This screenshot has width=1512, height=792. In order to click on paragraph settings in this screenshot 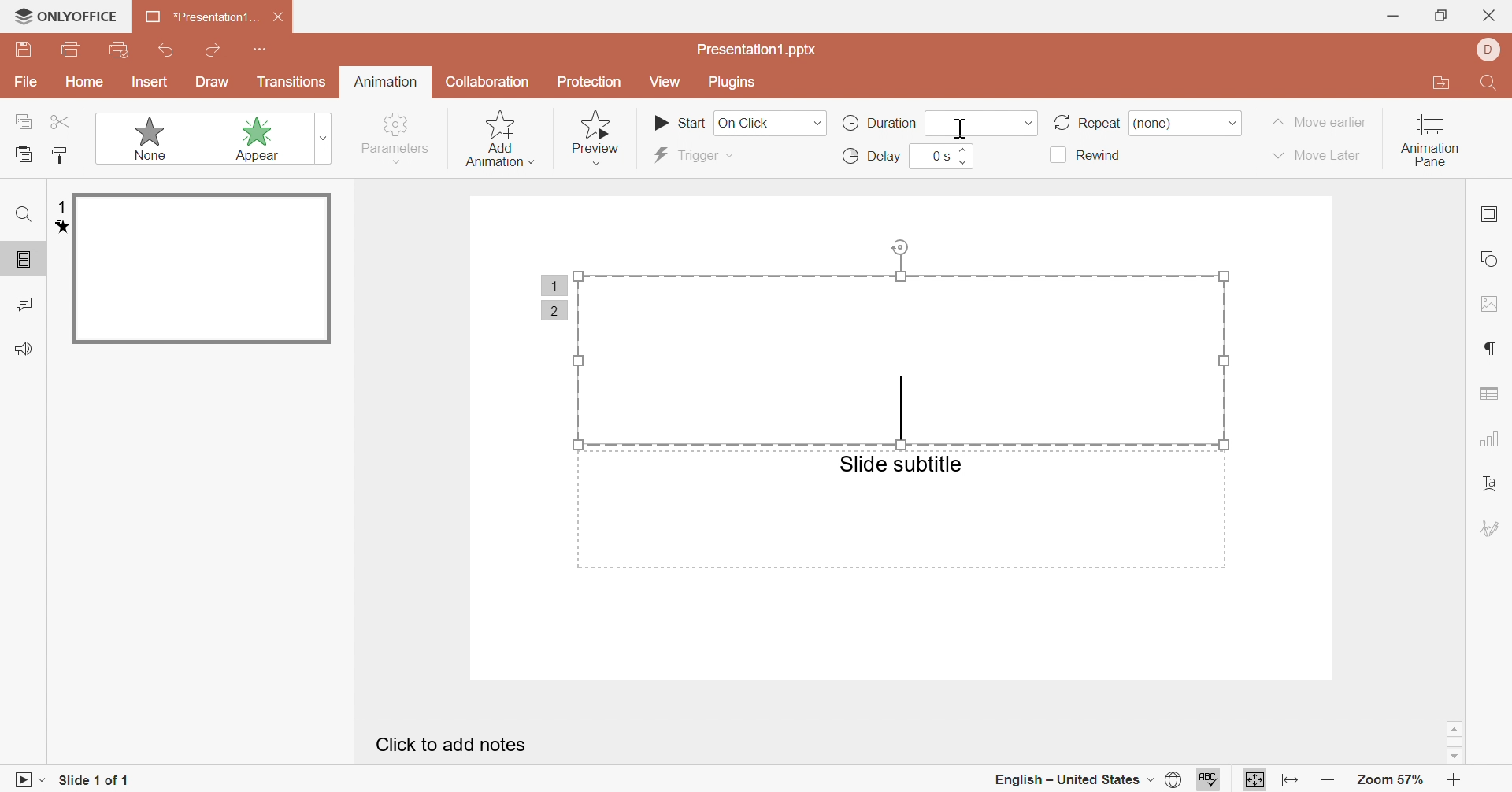, I will do `click(1487, 349)`.